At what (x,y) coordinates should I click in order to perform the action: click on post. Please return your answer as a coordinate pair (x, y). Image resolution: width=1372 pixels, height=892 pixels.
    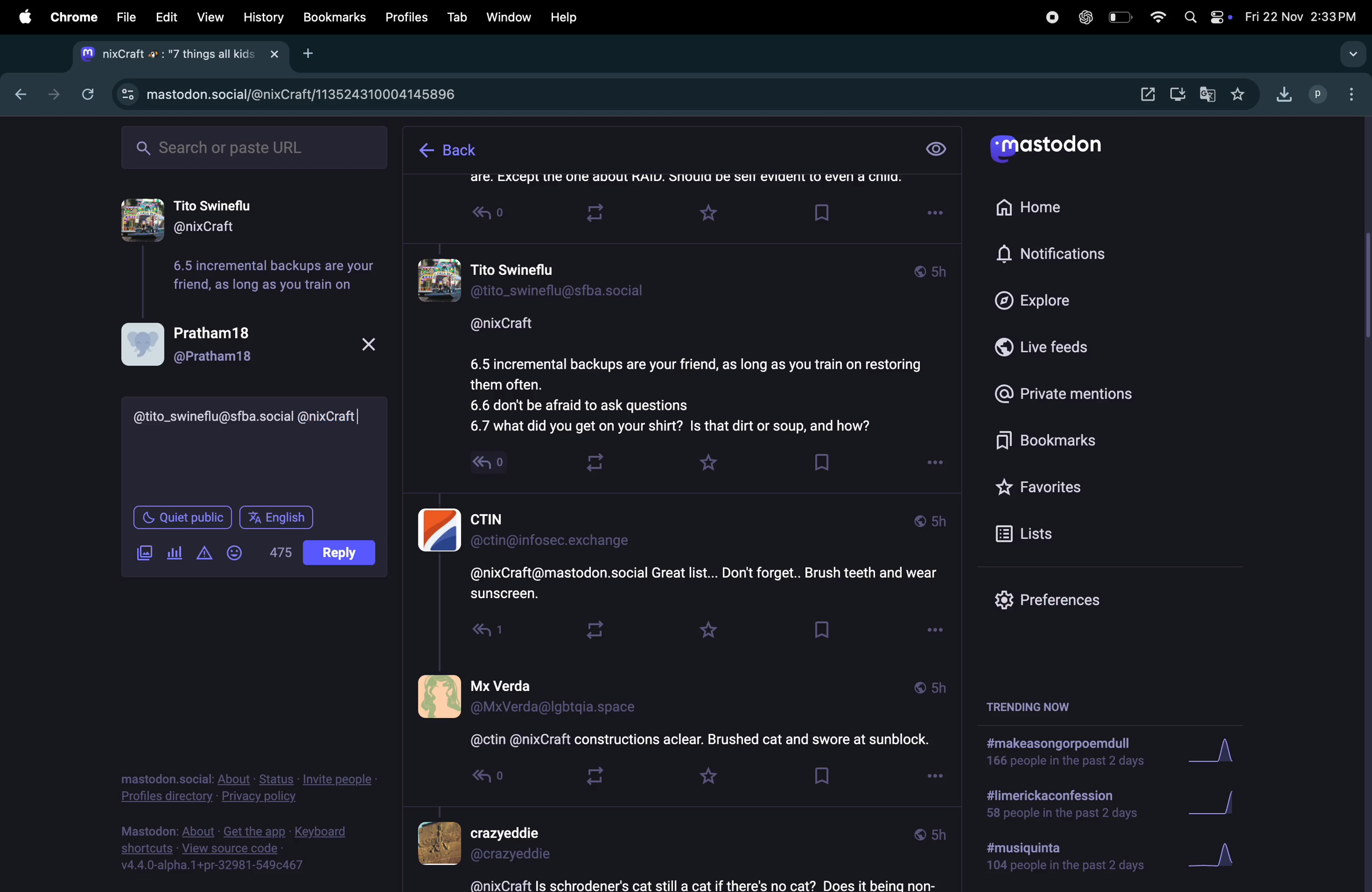
    Looking at the image, I should click on (342, 553).